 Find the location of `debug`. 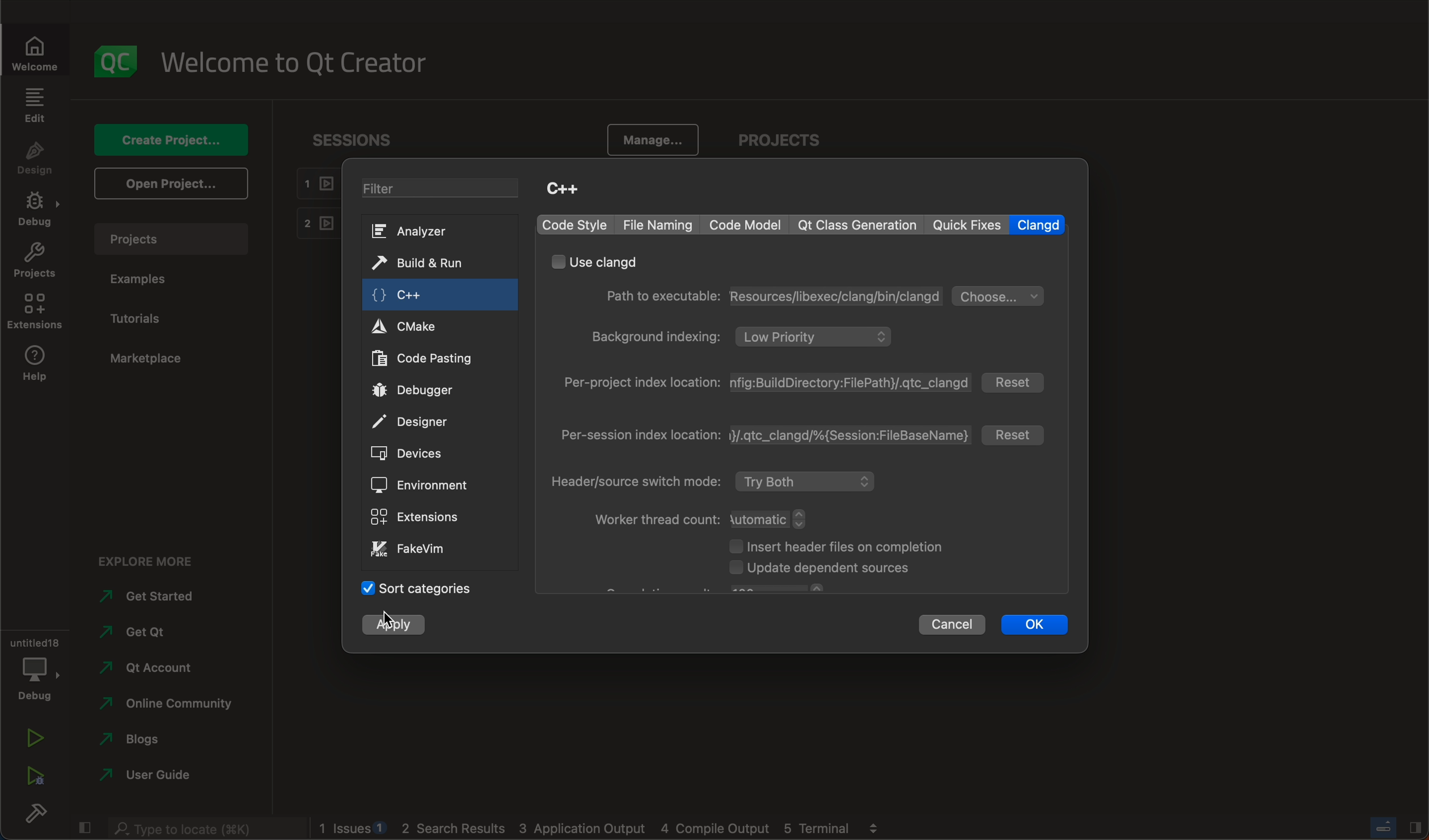

debug is located at coordinates (34, 667).